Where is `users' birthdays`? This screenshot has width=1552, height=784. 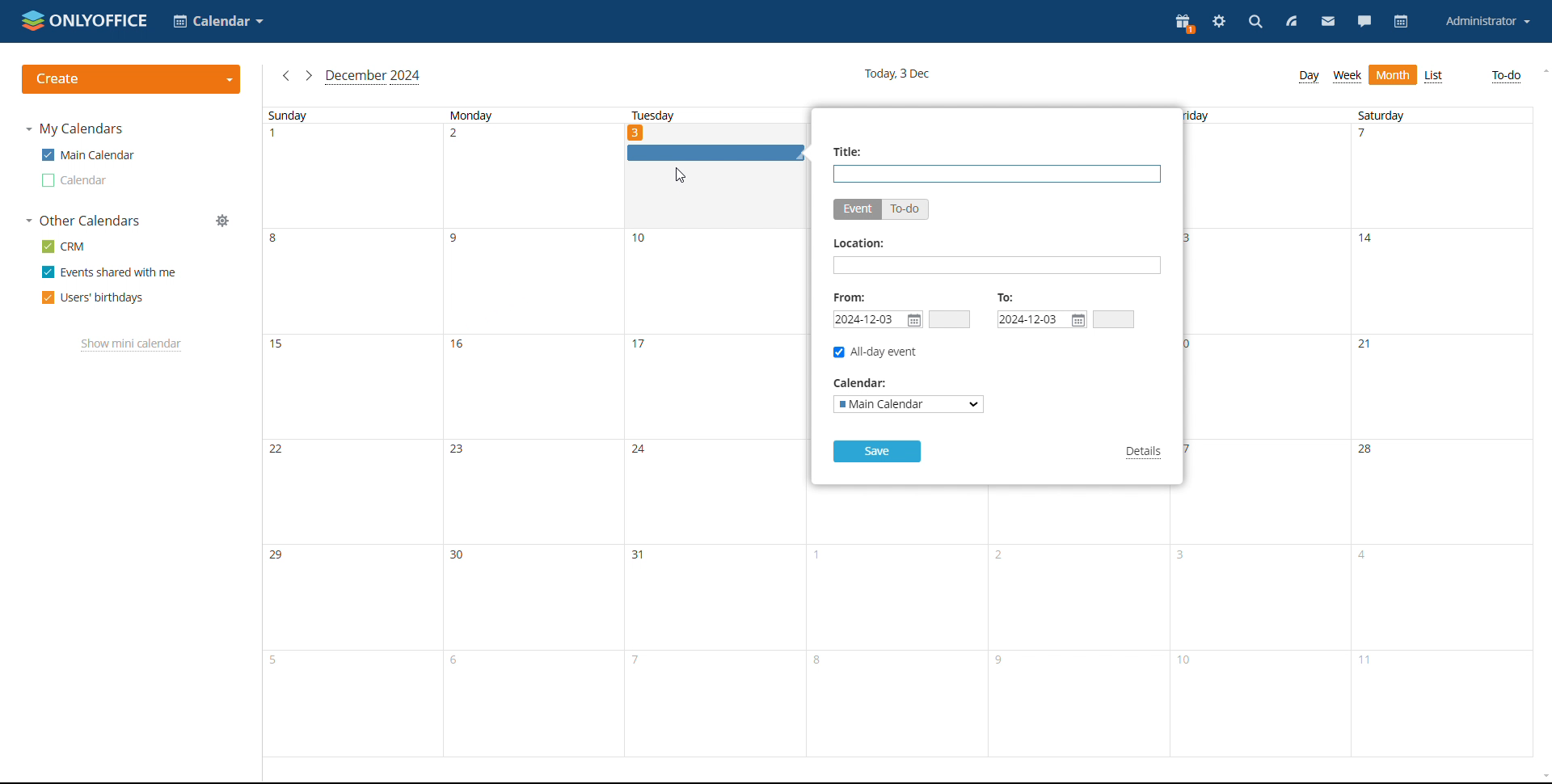 users' birthdays is located at coordinates (94, 297).